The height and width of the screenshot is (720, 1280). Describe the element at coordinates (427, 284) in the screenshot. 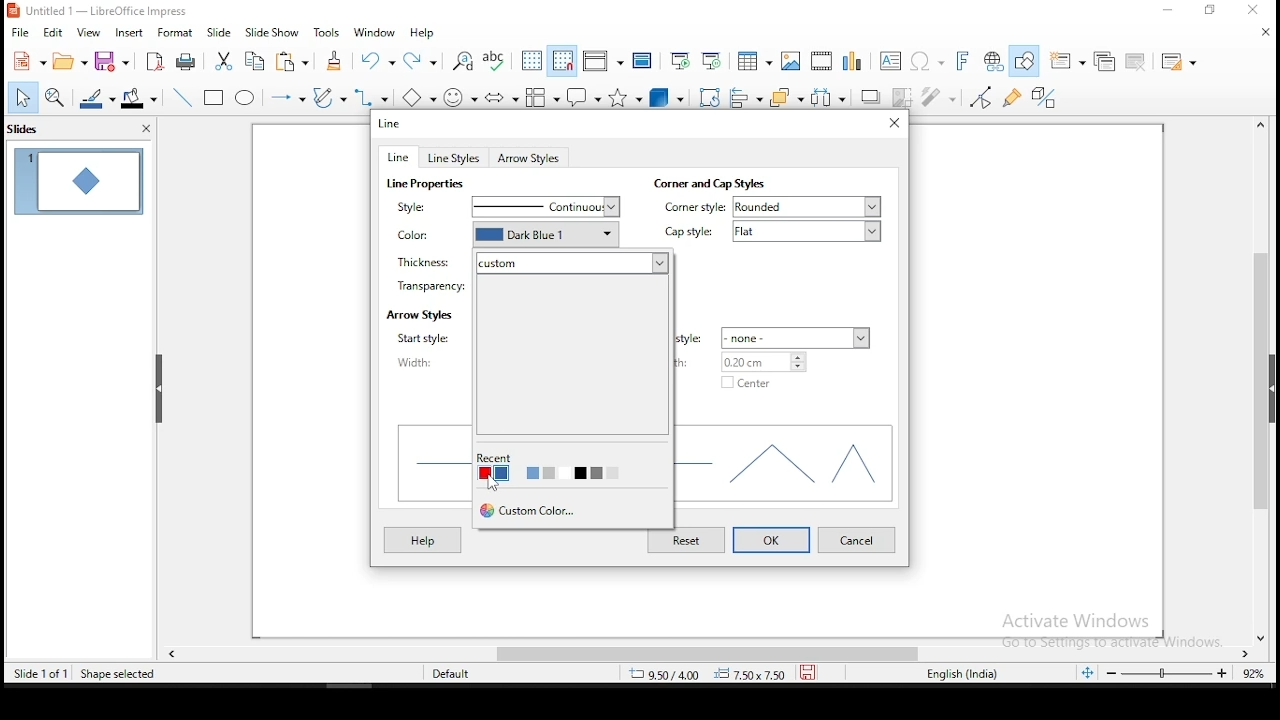

I see `transperancy` at that location.